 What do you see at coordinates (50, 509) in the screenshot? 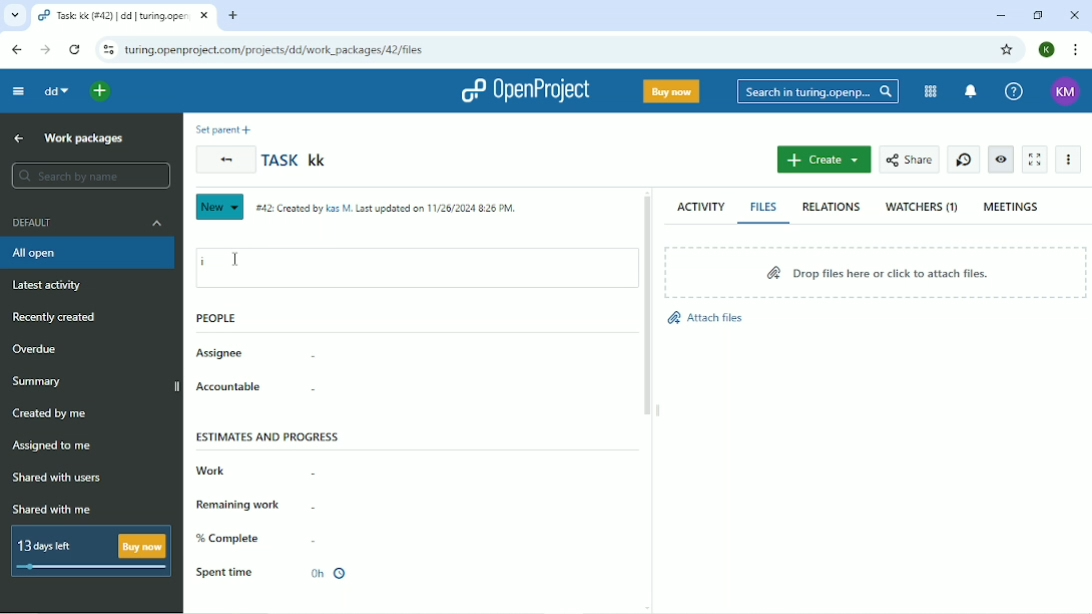
I see `Shared with me` at bounding box center [50, 509].